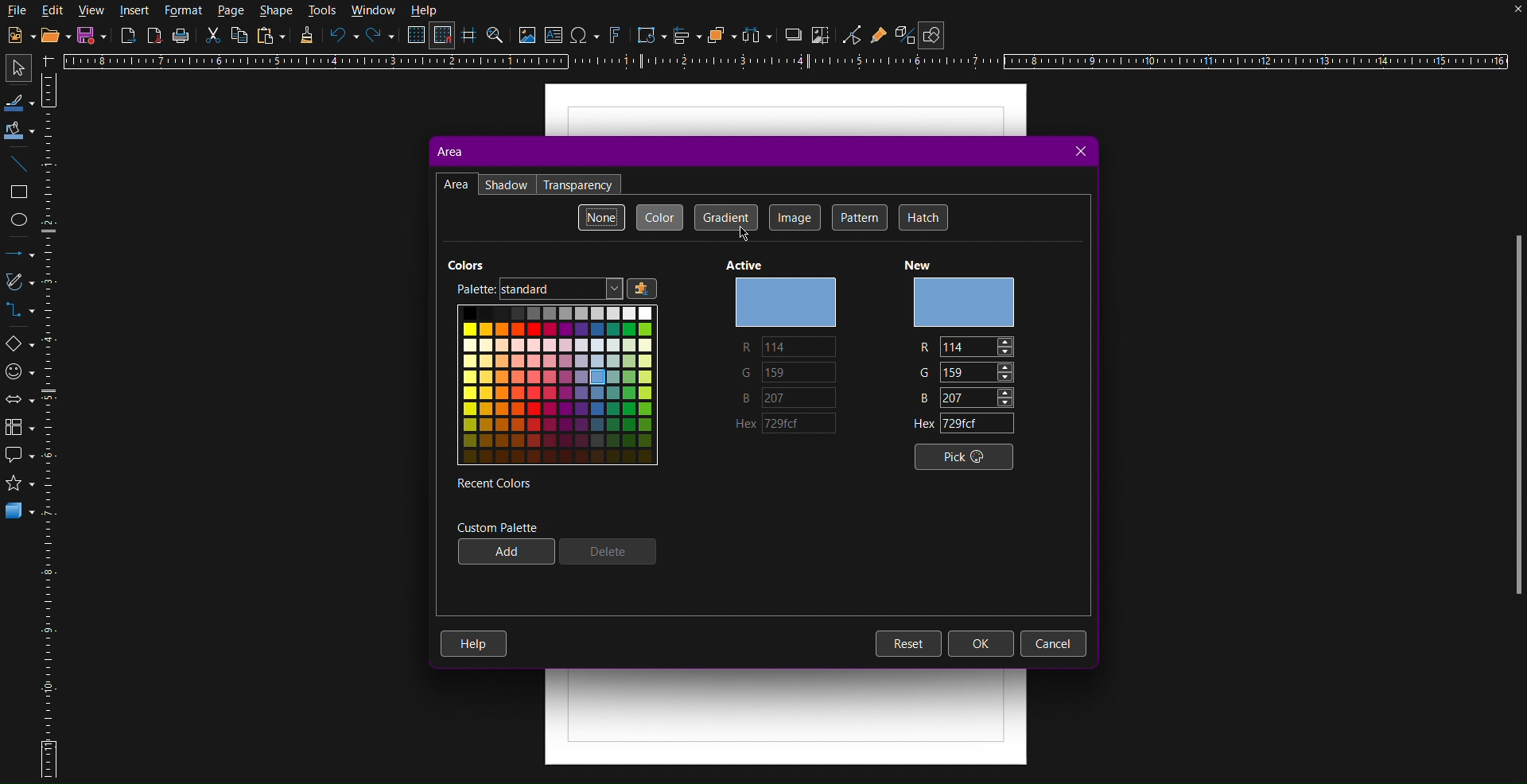 This screenshot has height=784, width=1527. Describe the element at coordinates (343, 37) in the screenshot. I see `Undo` at that location.